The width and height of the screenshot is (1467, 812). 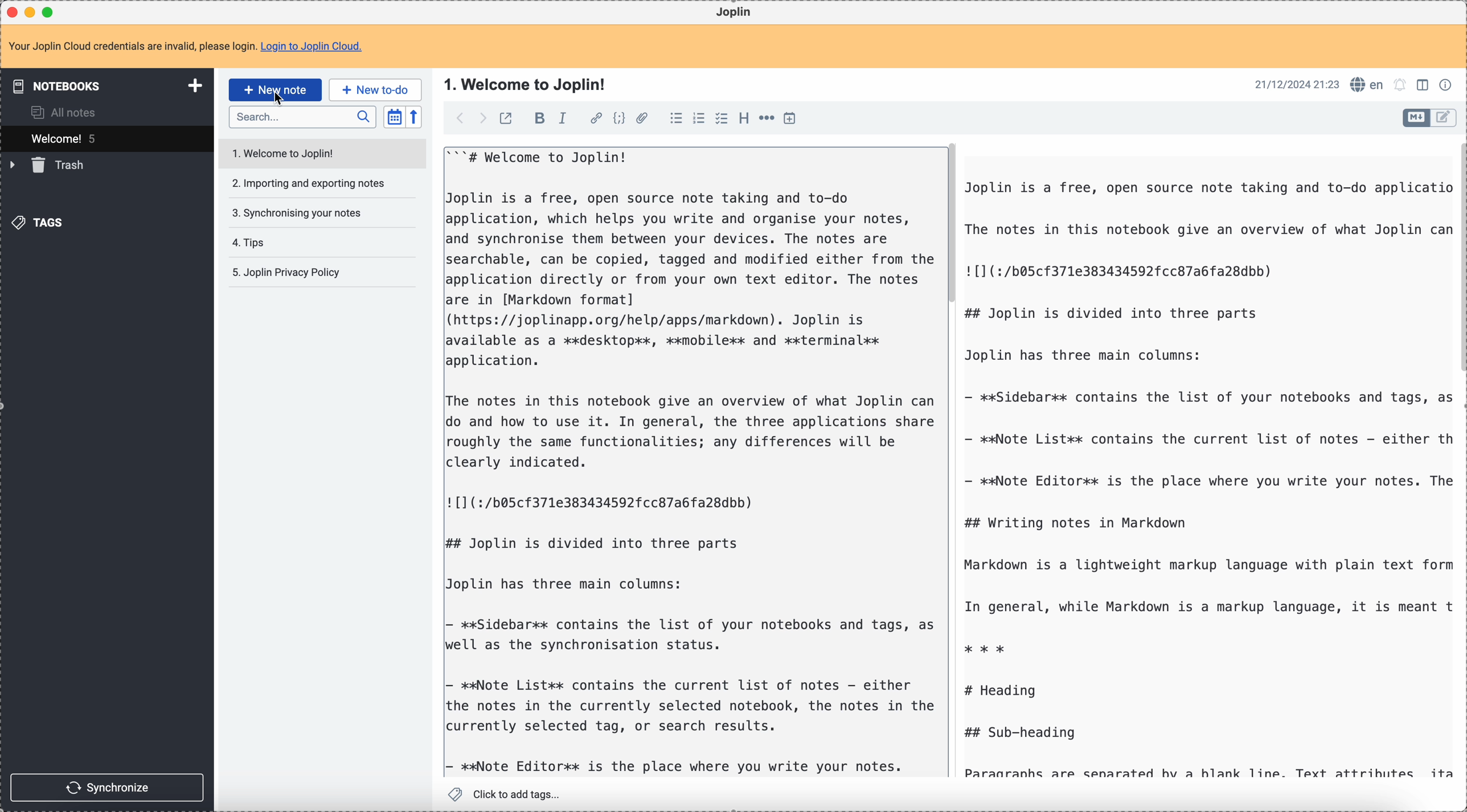 I want to click on Joplin, so click(x=736, y=13).